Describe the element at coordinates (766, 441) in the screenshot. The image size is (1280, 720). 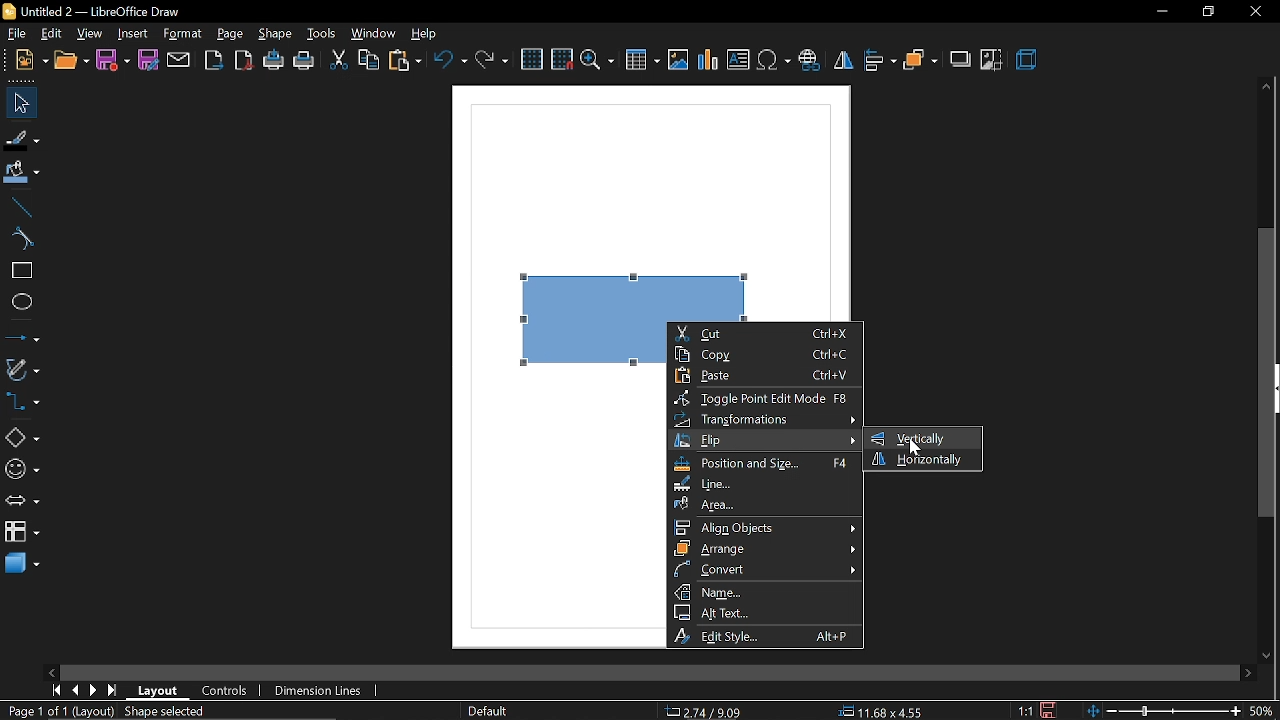
I see `flip` at that location.